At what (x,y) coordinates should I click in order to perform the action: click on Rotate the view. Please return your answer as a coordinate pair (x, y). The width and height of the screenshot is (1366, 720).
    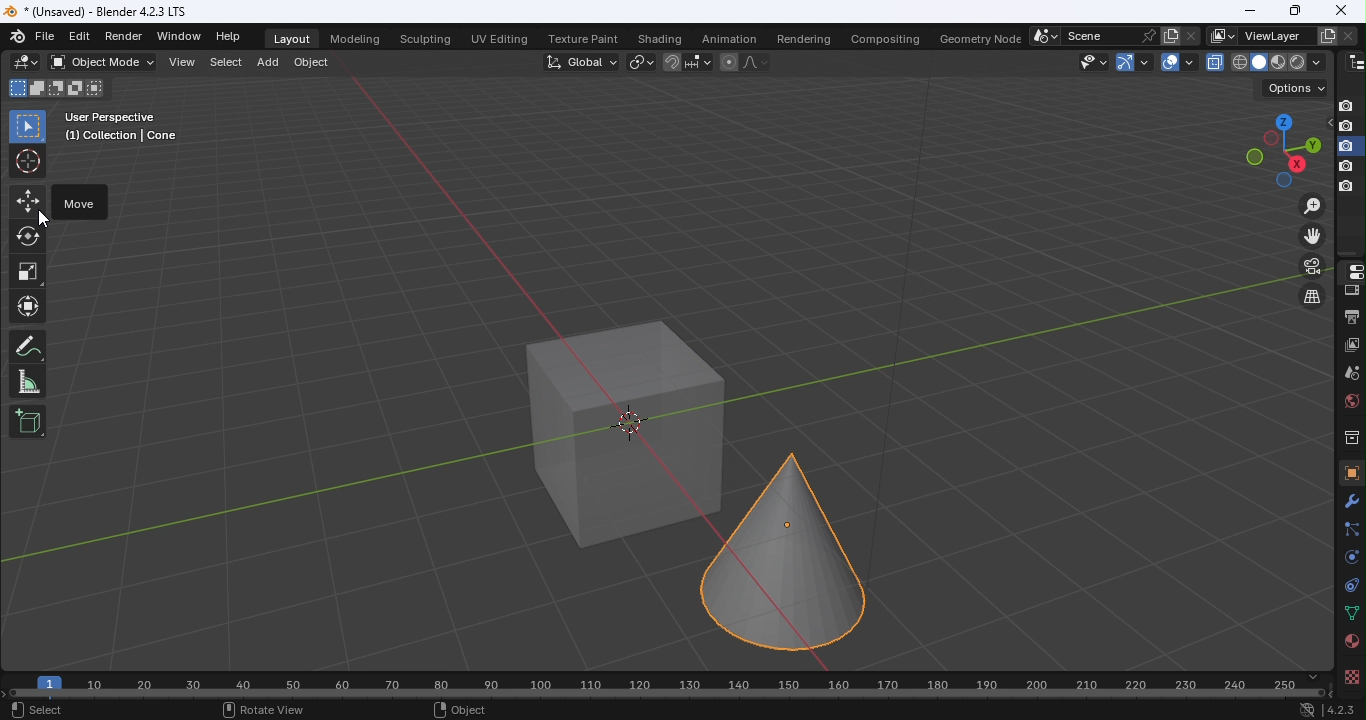
    Looking at the image, I should click on (1310, 144).